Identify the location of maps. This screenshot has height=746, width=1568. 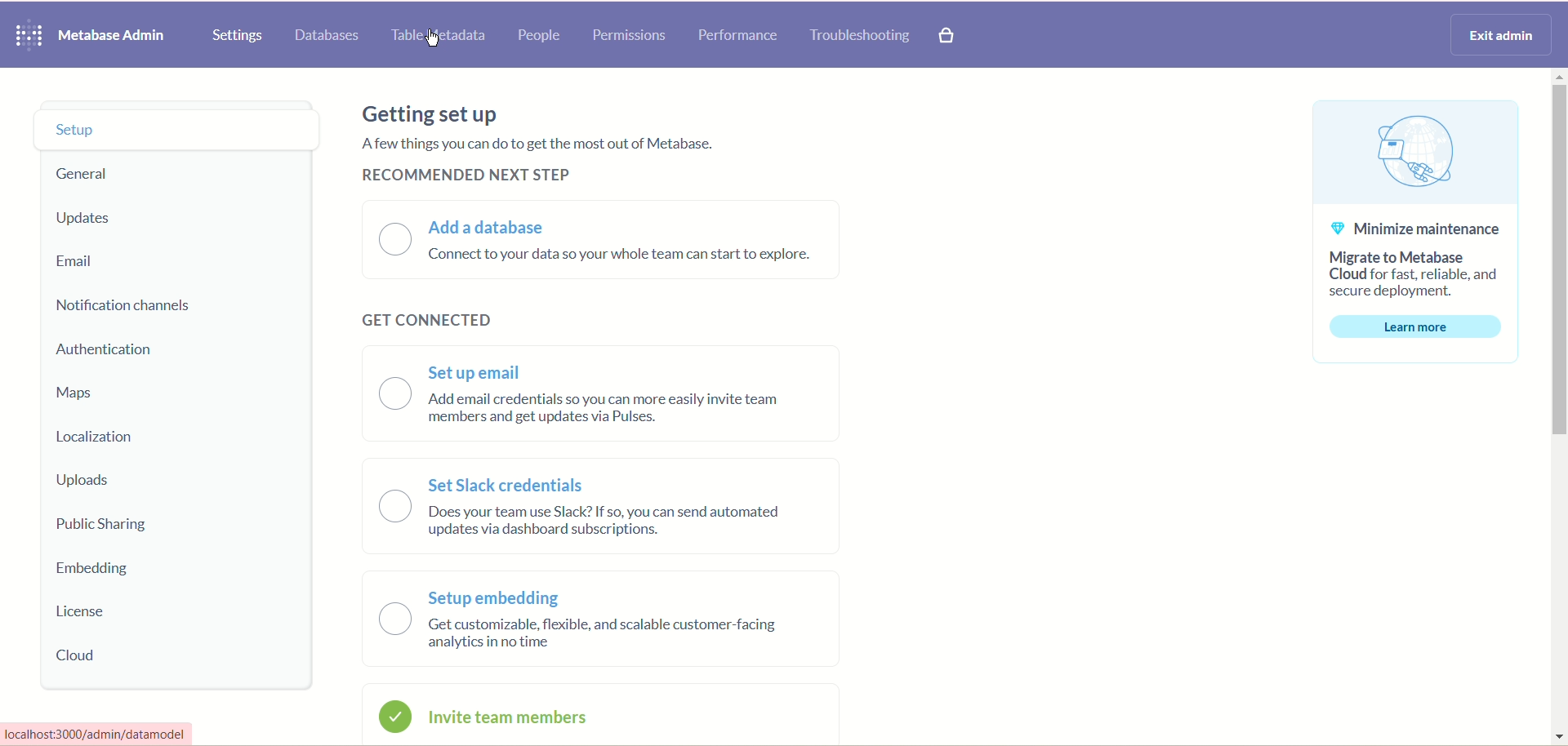
(80, 395).